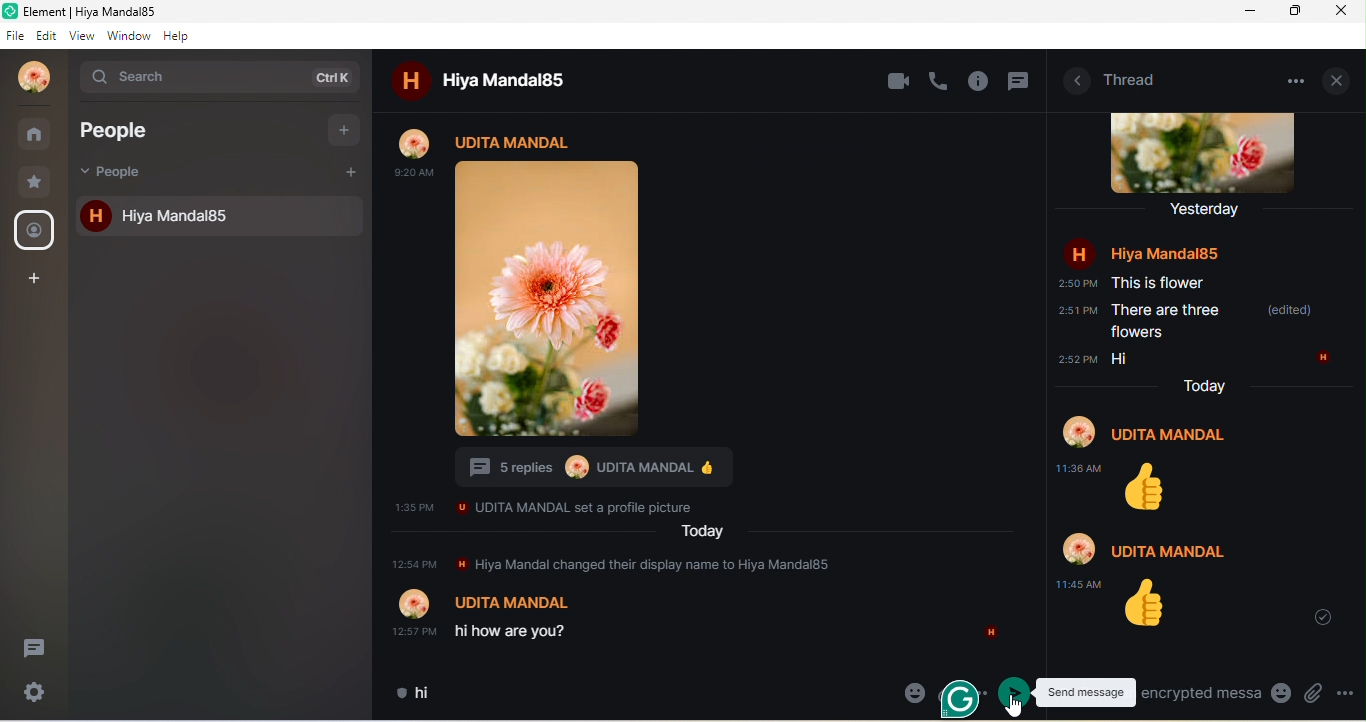 The height and width of the screenshot is (722, 1366). I want to click on view, so click(82, 35).